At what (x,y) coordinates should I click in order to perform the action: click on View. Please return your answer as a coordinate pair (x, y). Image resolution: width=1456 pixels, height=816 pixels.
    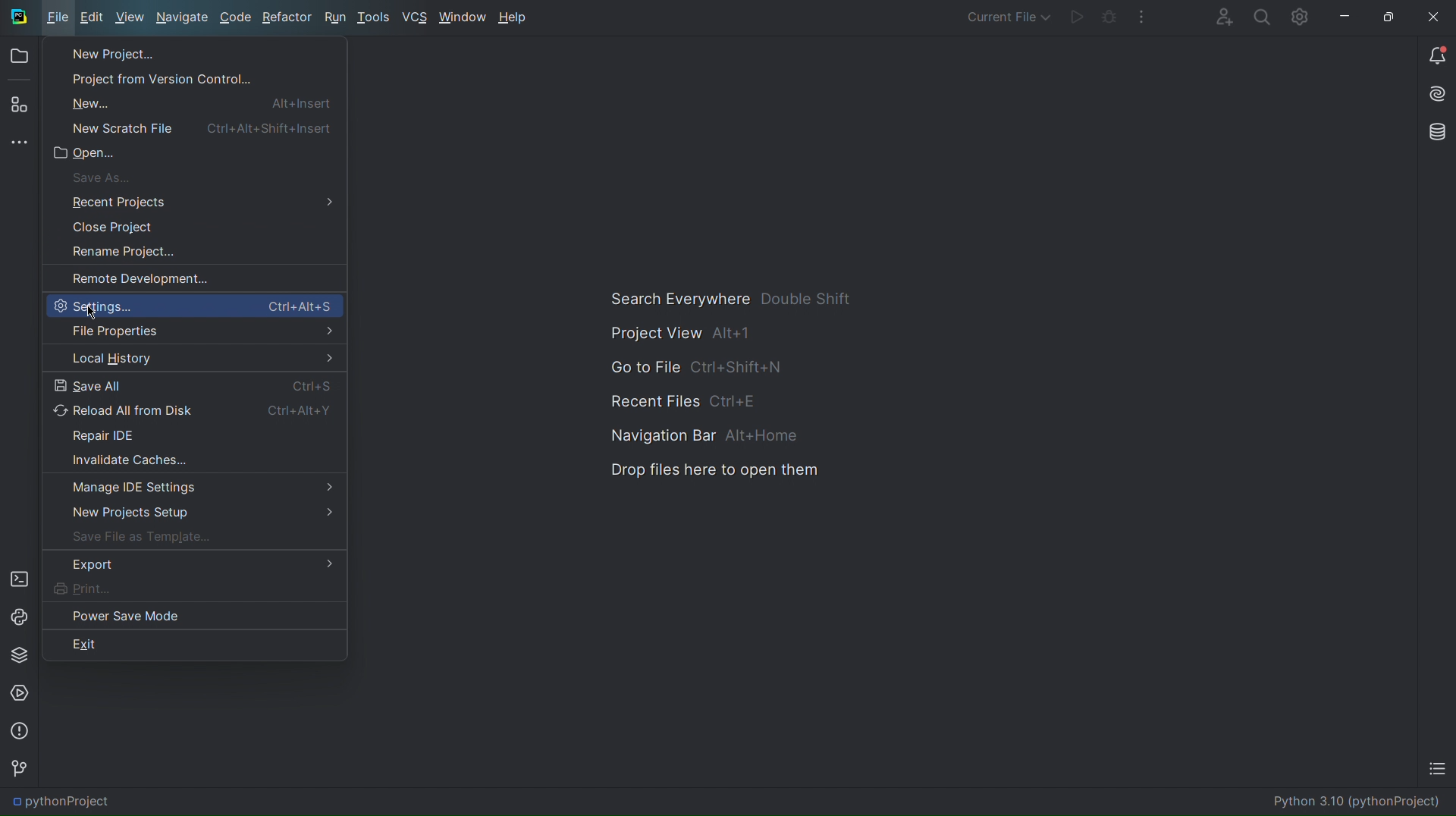
    Looking at the image, I should click on (128, 19).